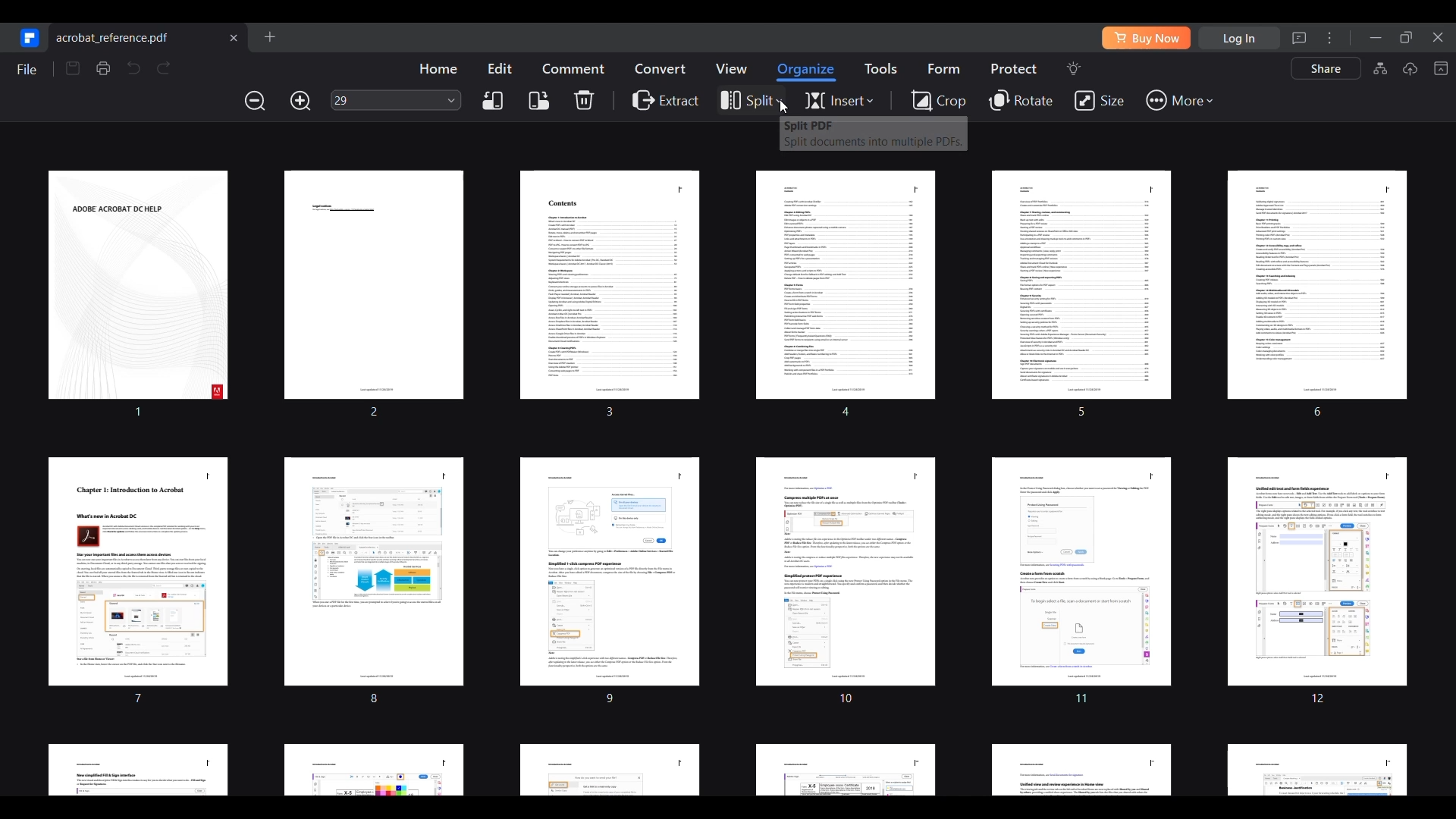 The image size is (1456, 819). What do you see at coordinates (438, 68) in the screenshot?
I see `Home` at bounding box center [438, 68].